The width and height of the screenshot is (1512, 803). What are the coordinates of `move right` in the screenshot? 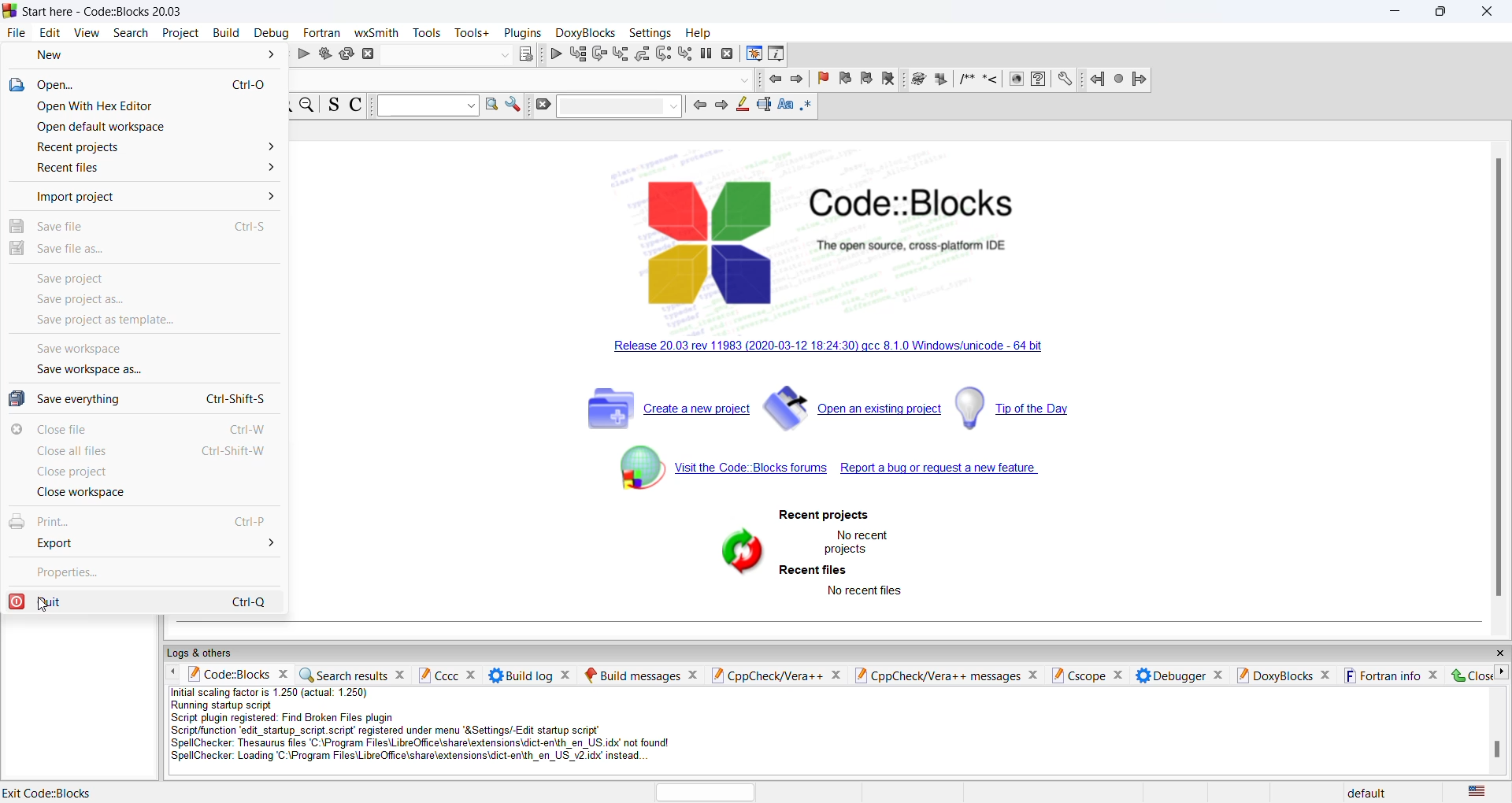 It's located at (1503, 672).